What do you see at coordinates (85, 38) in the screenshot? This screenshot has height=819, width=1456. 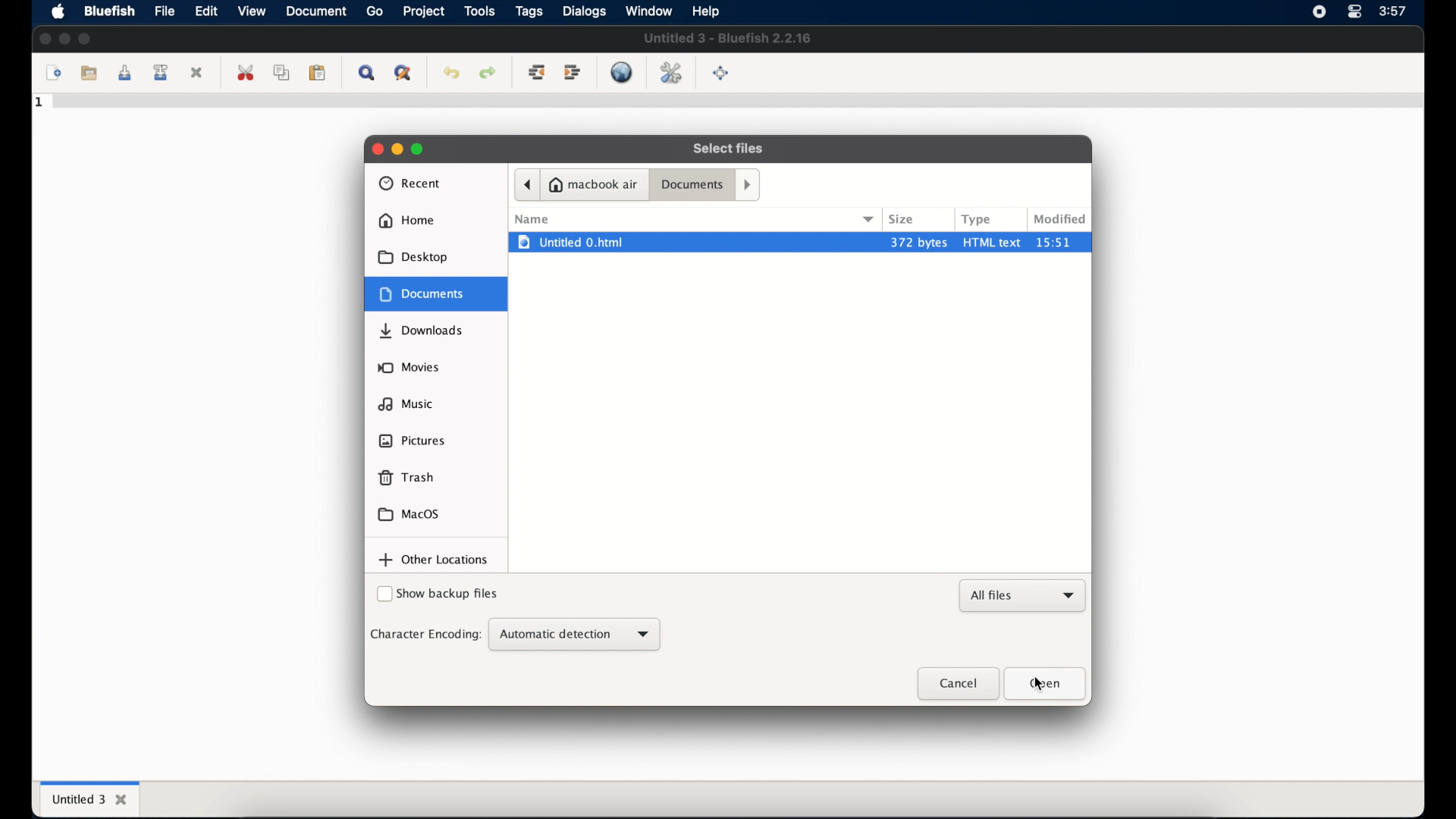 I see `maximize` at bounding box center [85, 38].